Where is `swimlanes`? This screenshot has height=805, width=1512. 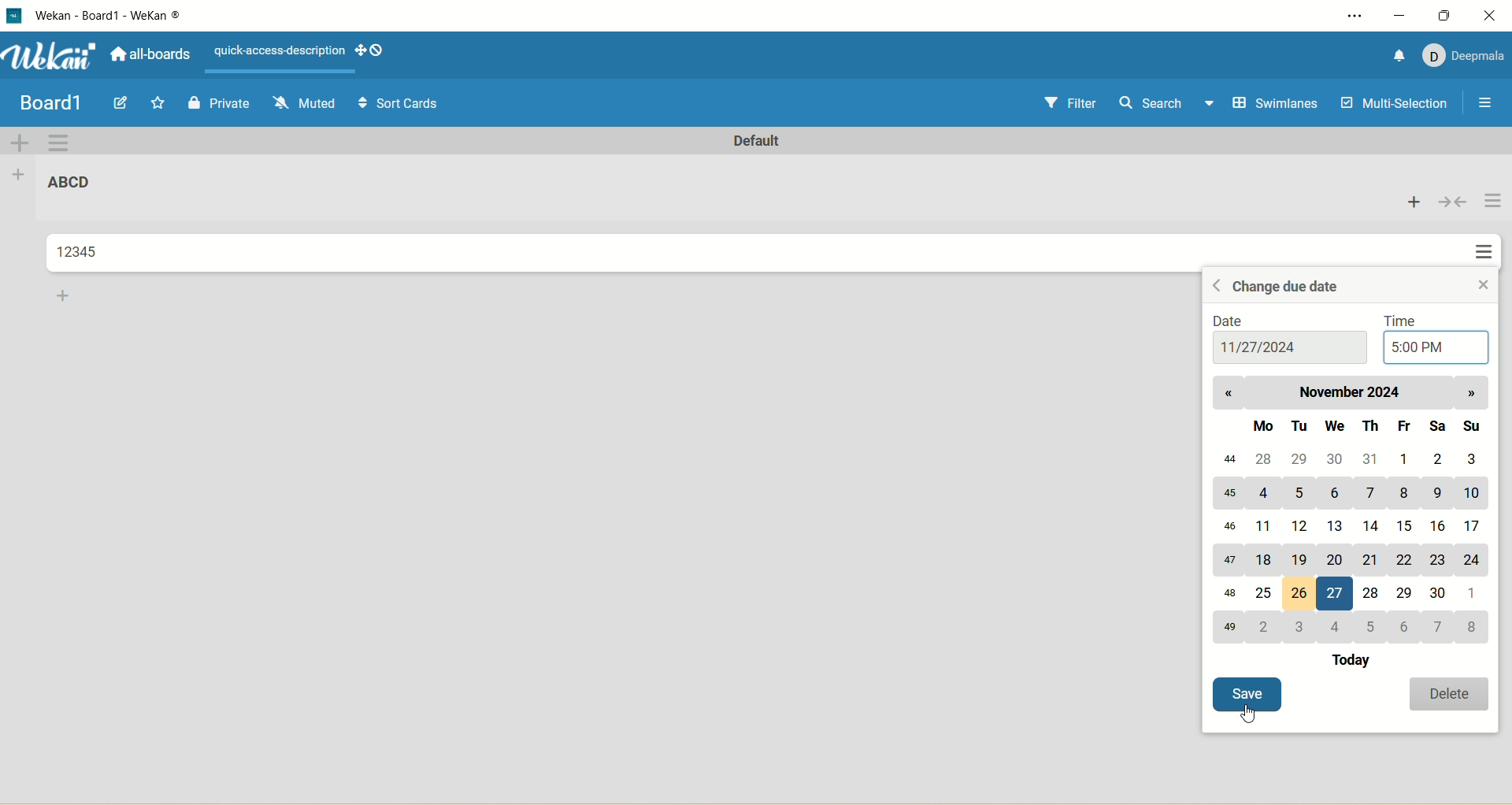
swimlanes is located at coordinates (1279, 104).